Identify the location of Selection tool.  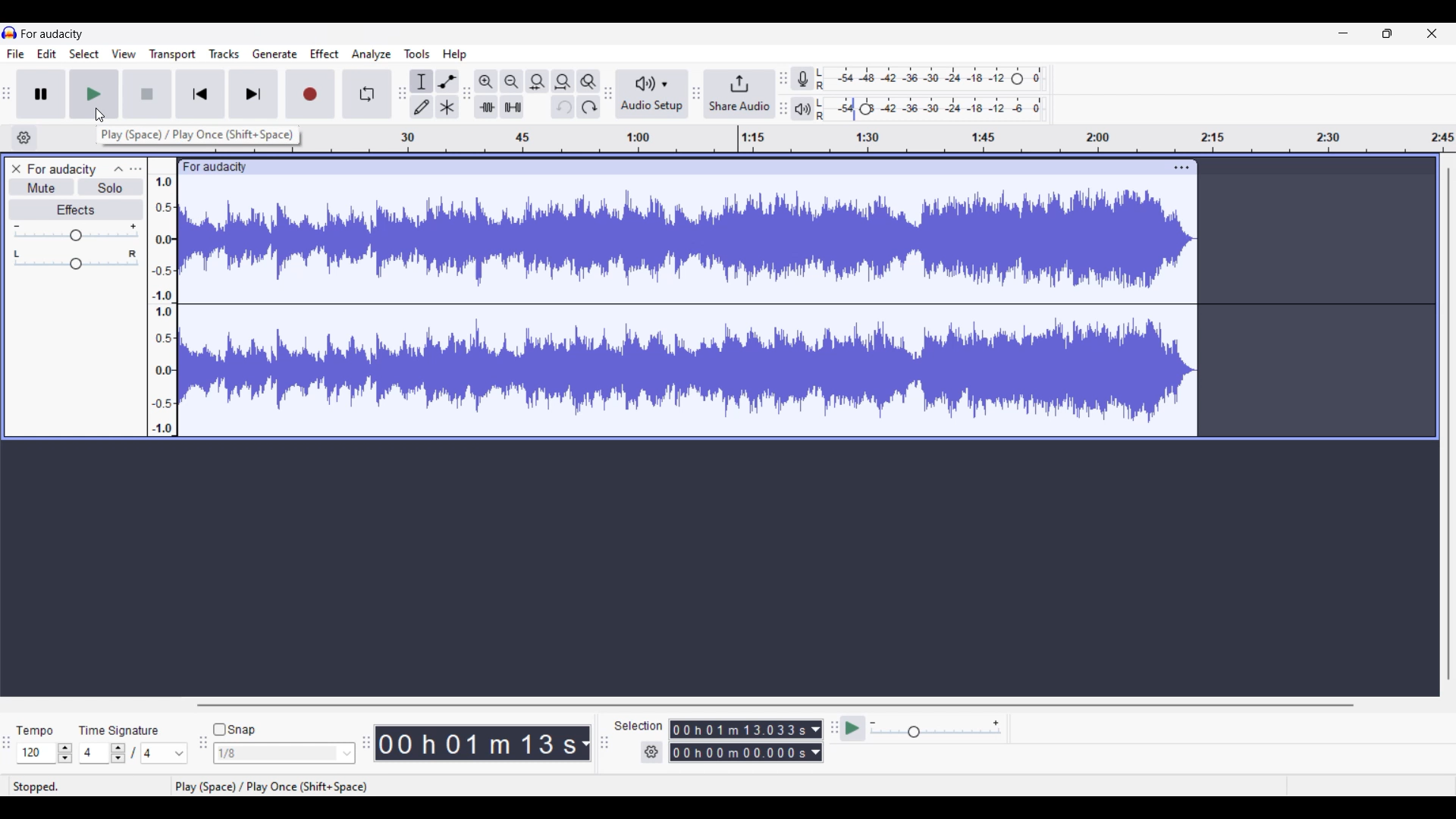
(422, 81).